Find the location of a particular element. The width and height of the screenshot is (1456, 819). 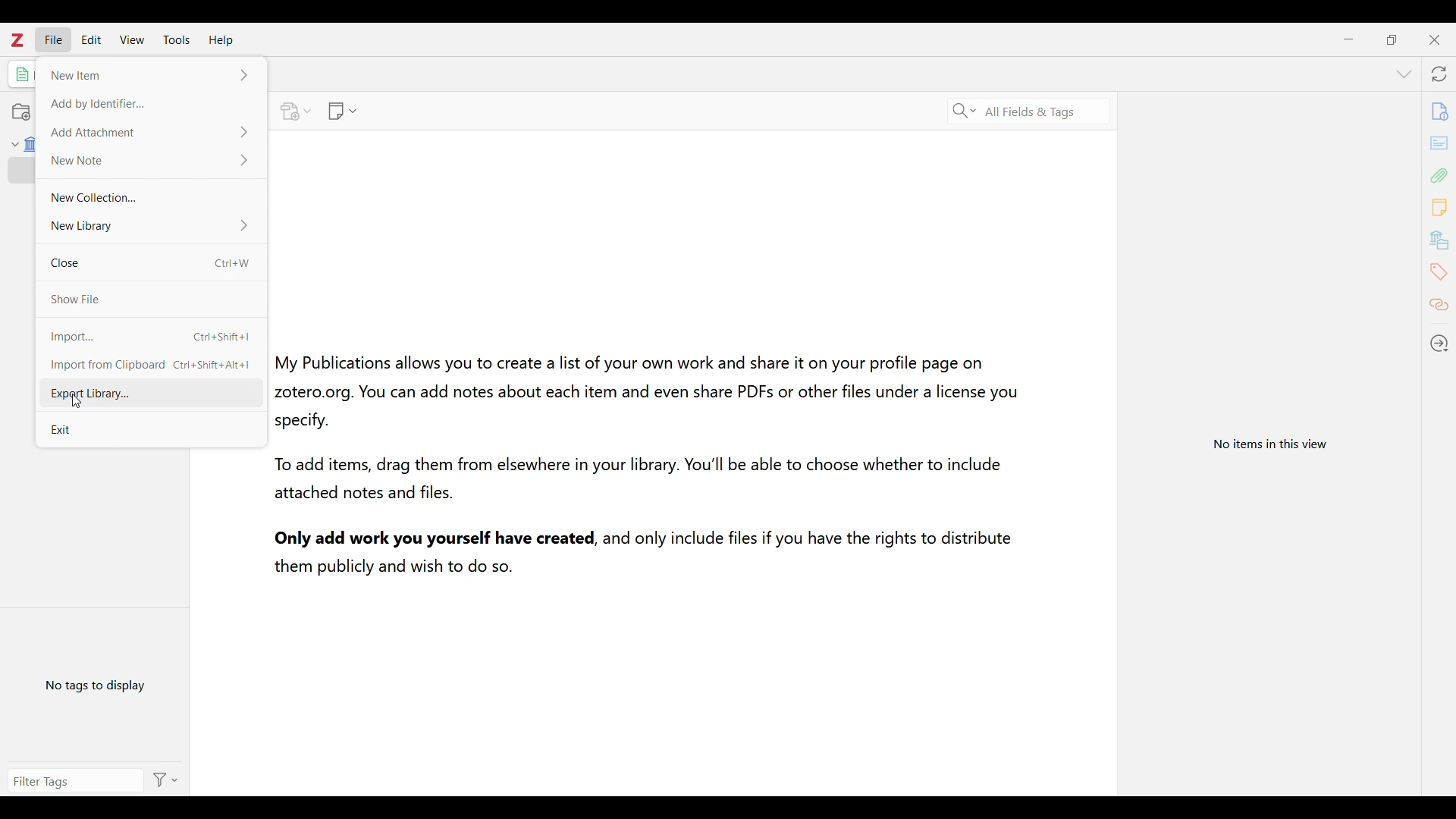

View is located at coordinates (132, 39).